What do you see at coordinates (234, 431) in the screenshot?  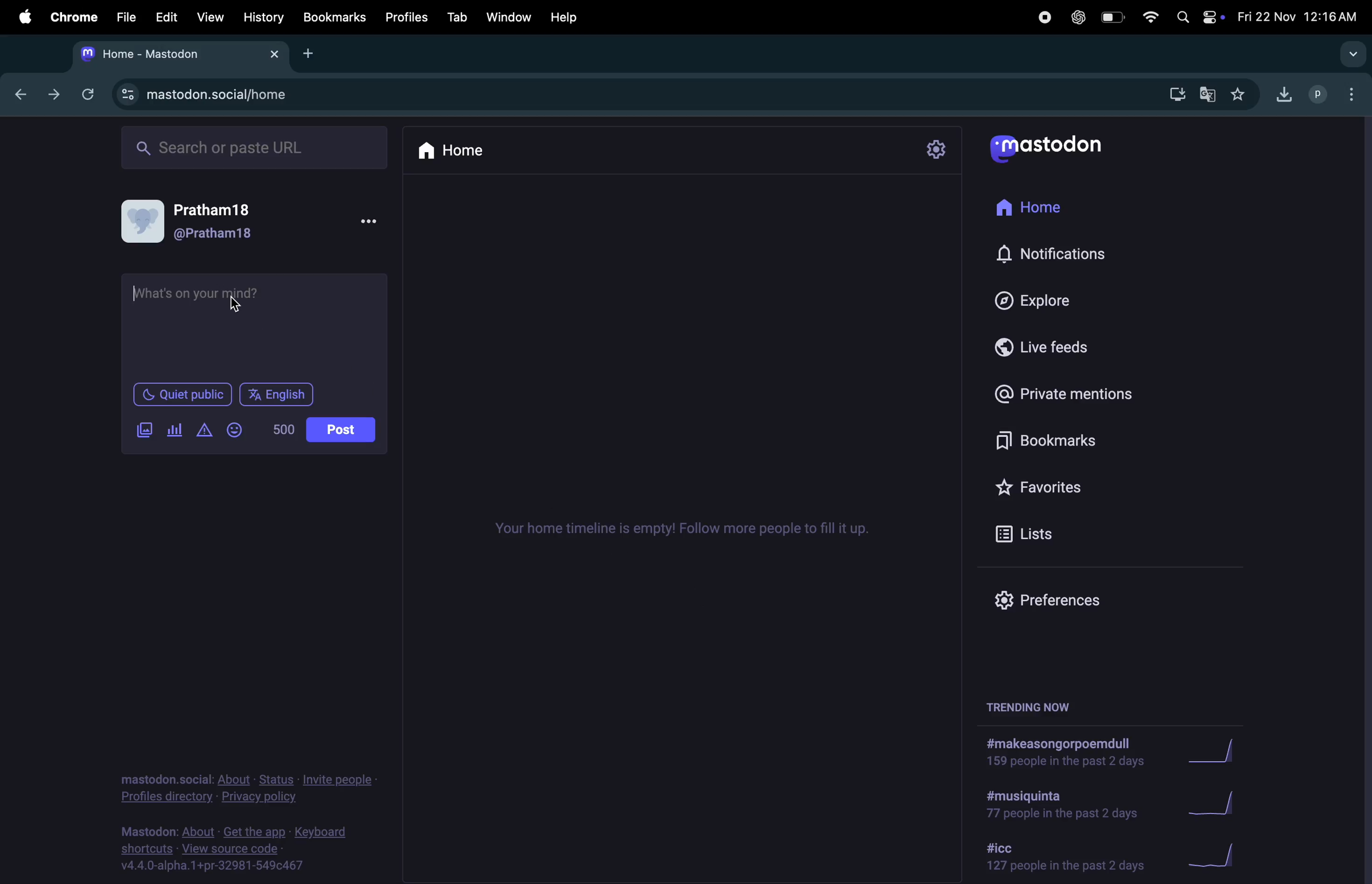 I see `add emoji` at bounding box center [234, 431].